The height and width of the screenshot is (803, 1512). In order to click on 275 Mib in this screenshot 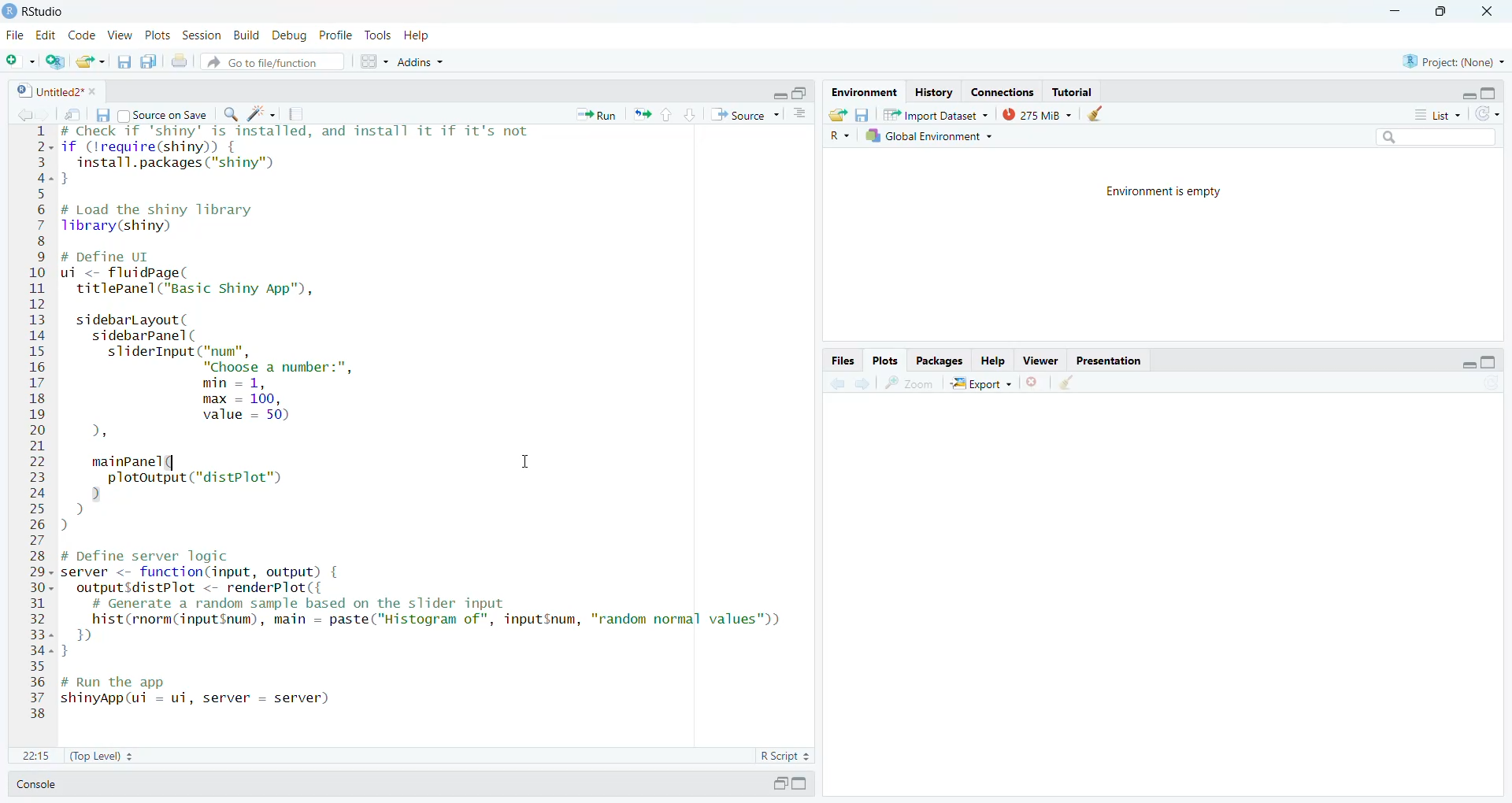, I will do `click(1038, 113)`.